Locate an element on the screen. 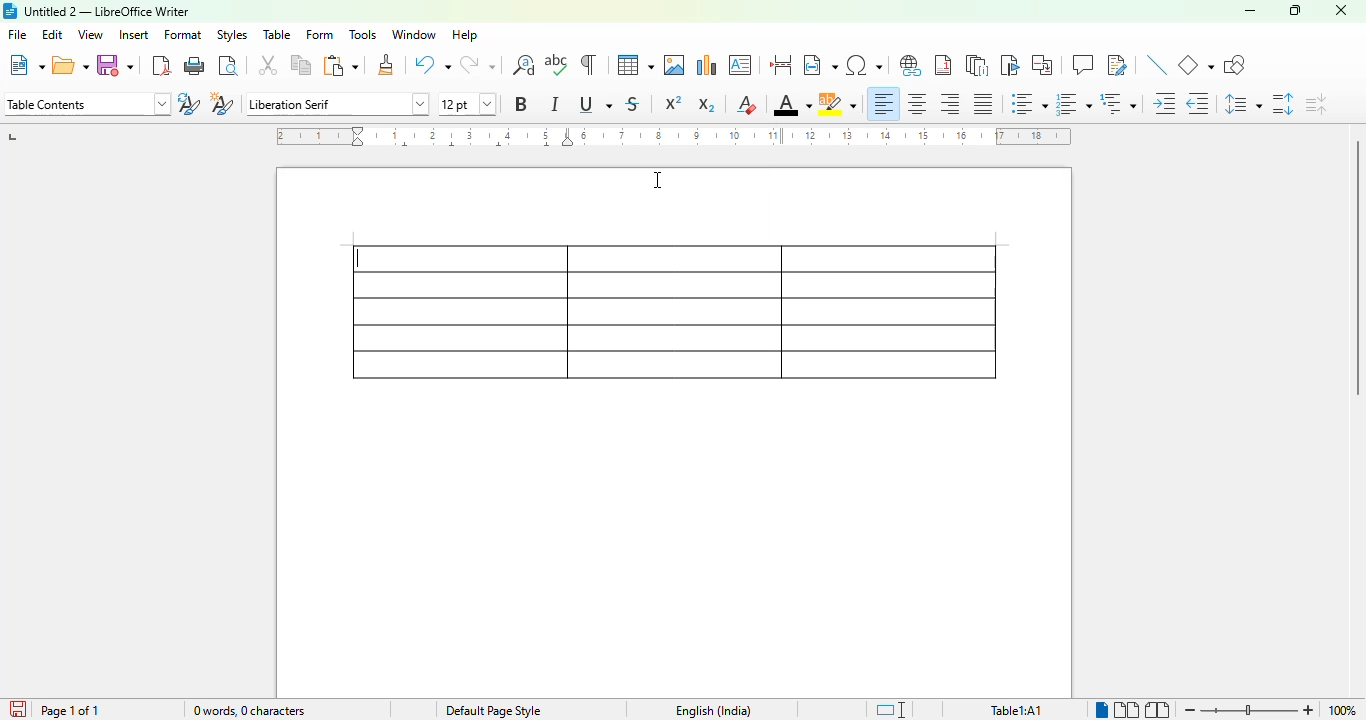 This screenshot has width=1366, height=720. window is located at coordinates (413, 34).